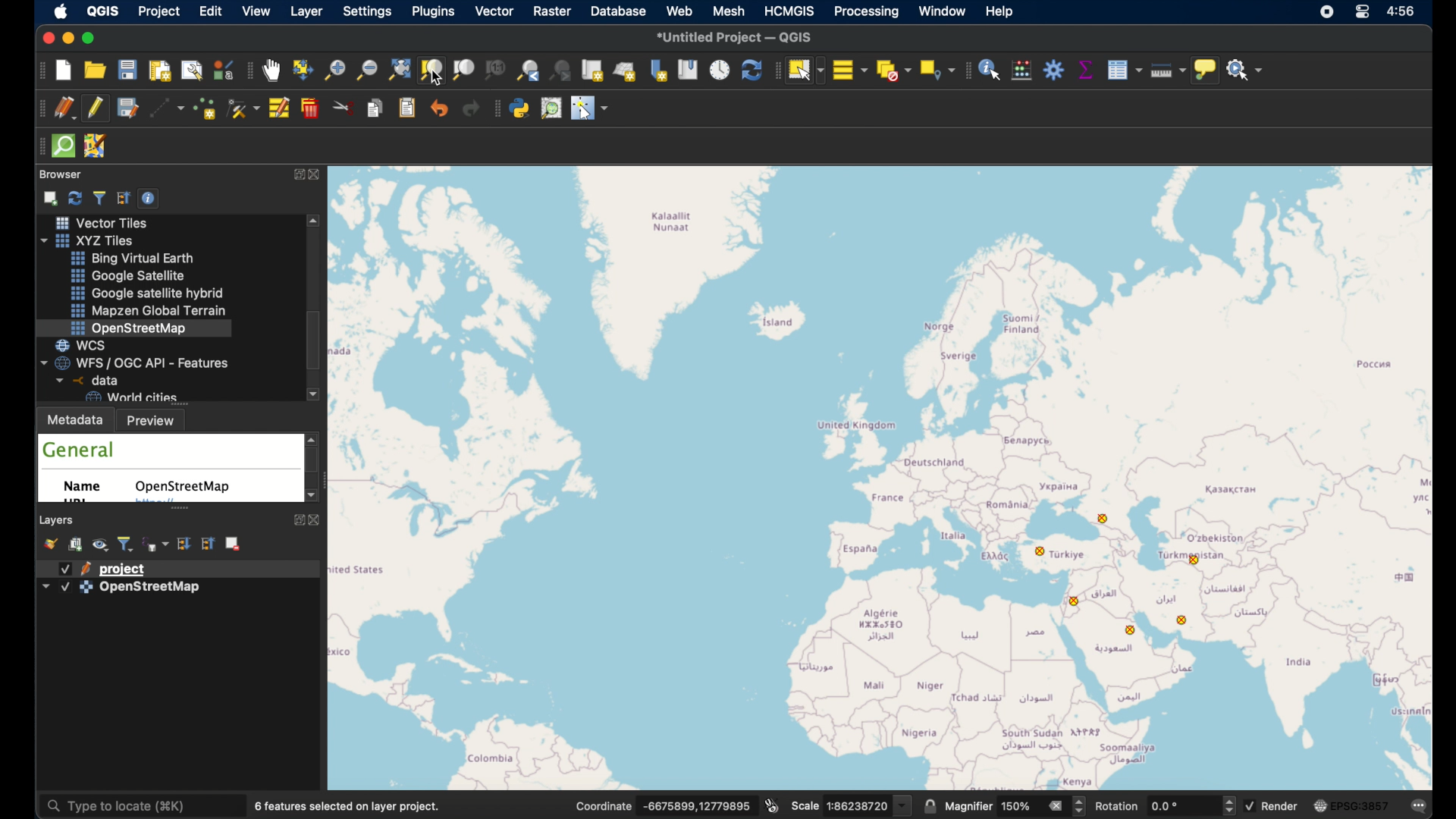 Image resolution: width=1456 pixels, height=819 pixels. I want to click on mapzen global terrain, so click(151, 311).